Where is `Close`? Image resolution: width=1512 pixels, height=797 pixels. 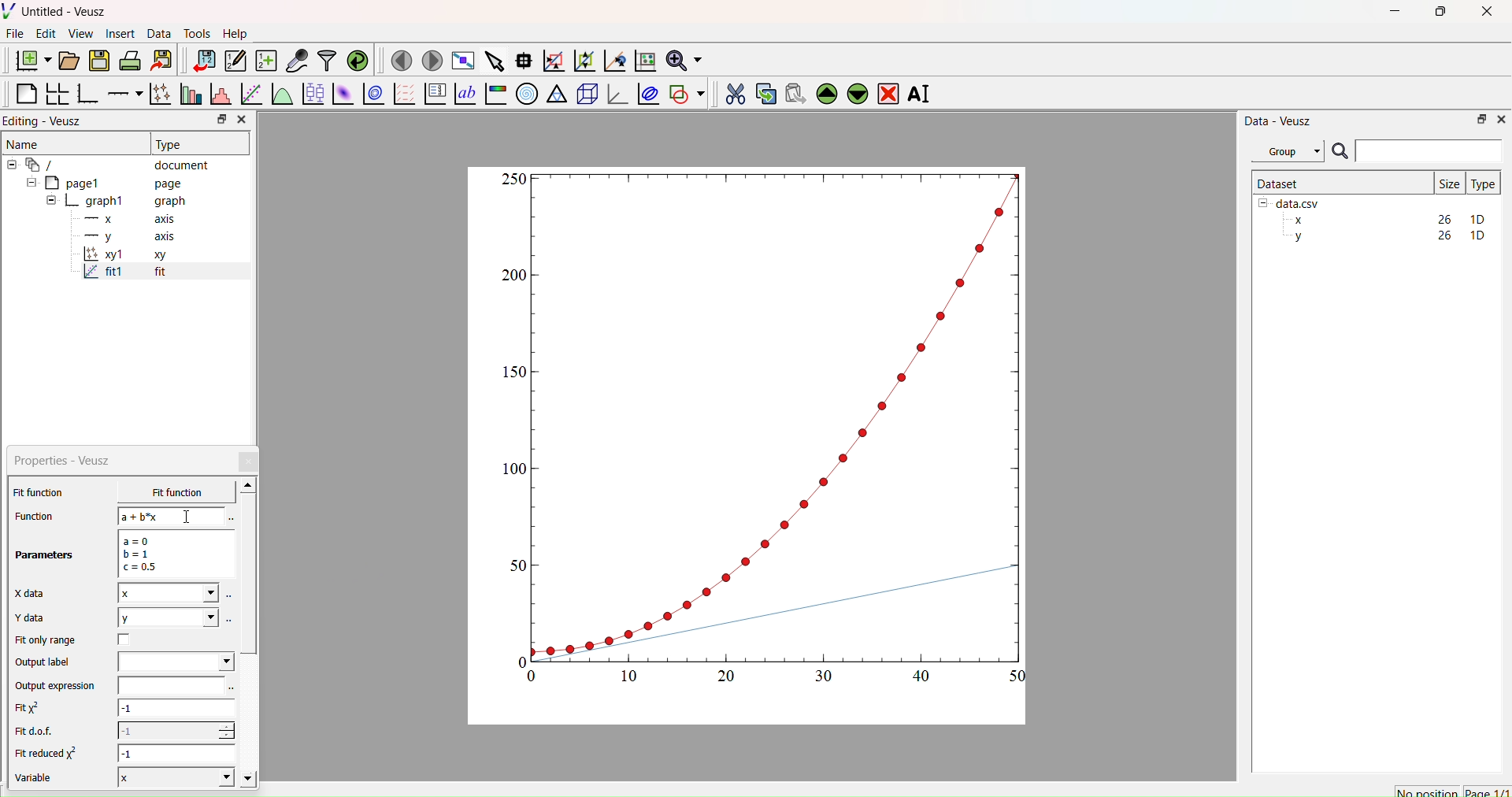
Close is located at coordinates (241, 120).